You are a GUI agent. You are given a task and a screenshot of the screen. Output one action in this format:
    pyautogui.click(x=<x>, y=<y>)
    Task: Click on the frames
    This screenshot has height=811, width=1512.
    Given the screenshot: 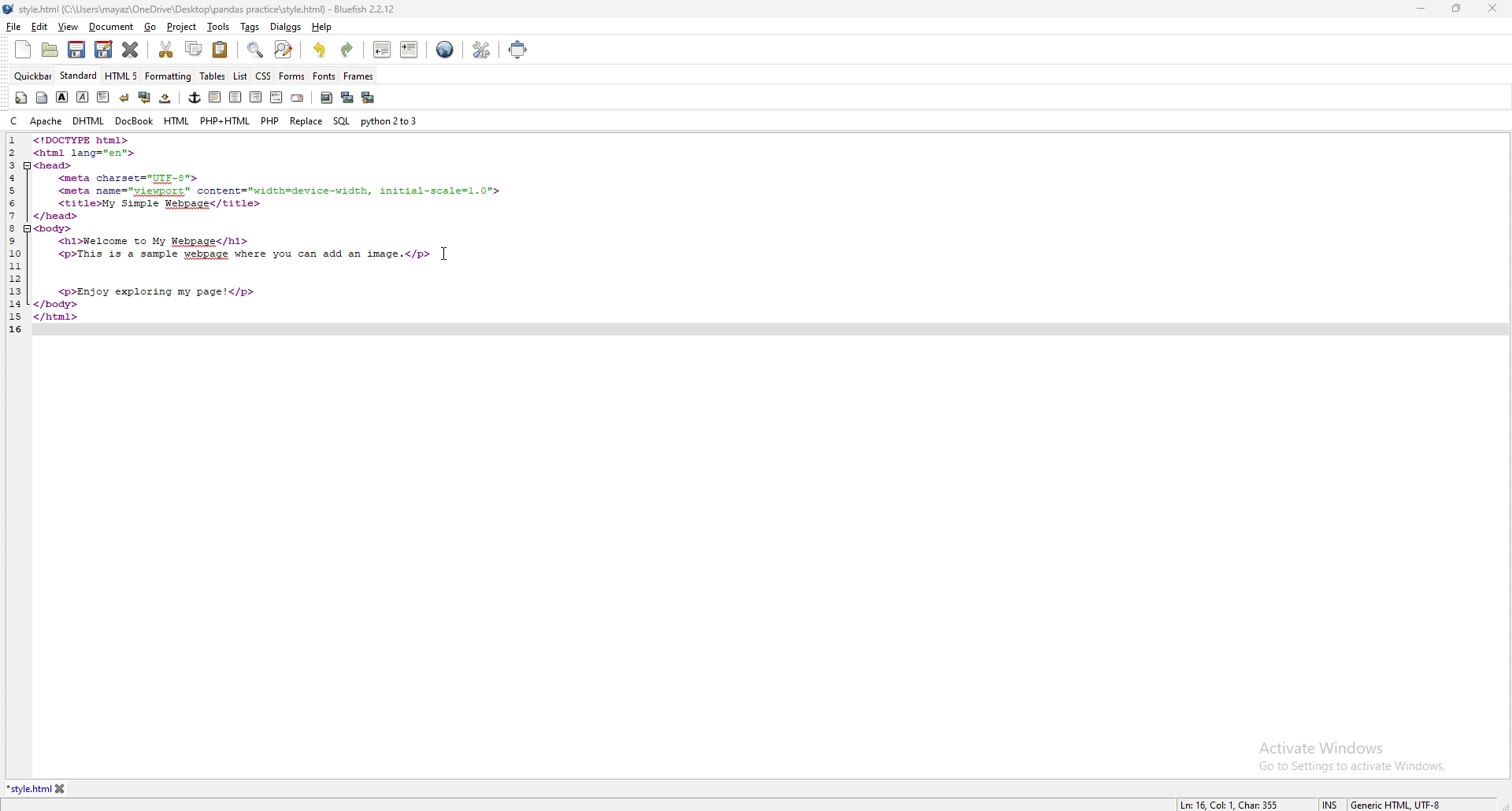 What is the action you would take?
    pyautogui.click(x=358, y=76)
    